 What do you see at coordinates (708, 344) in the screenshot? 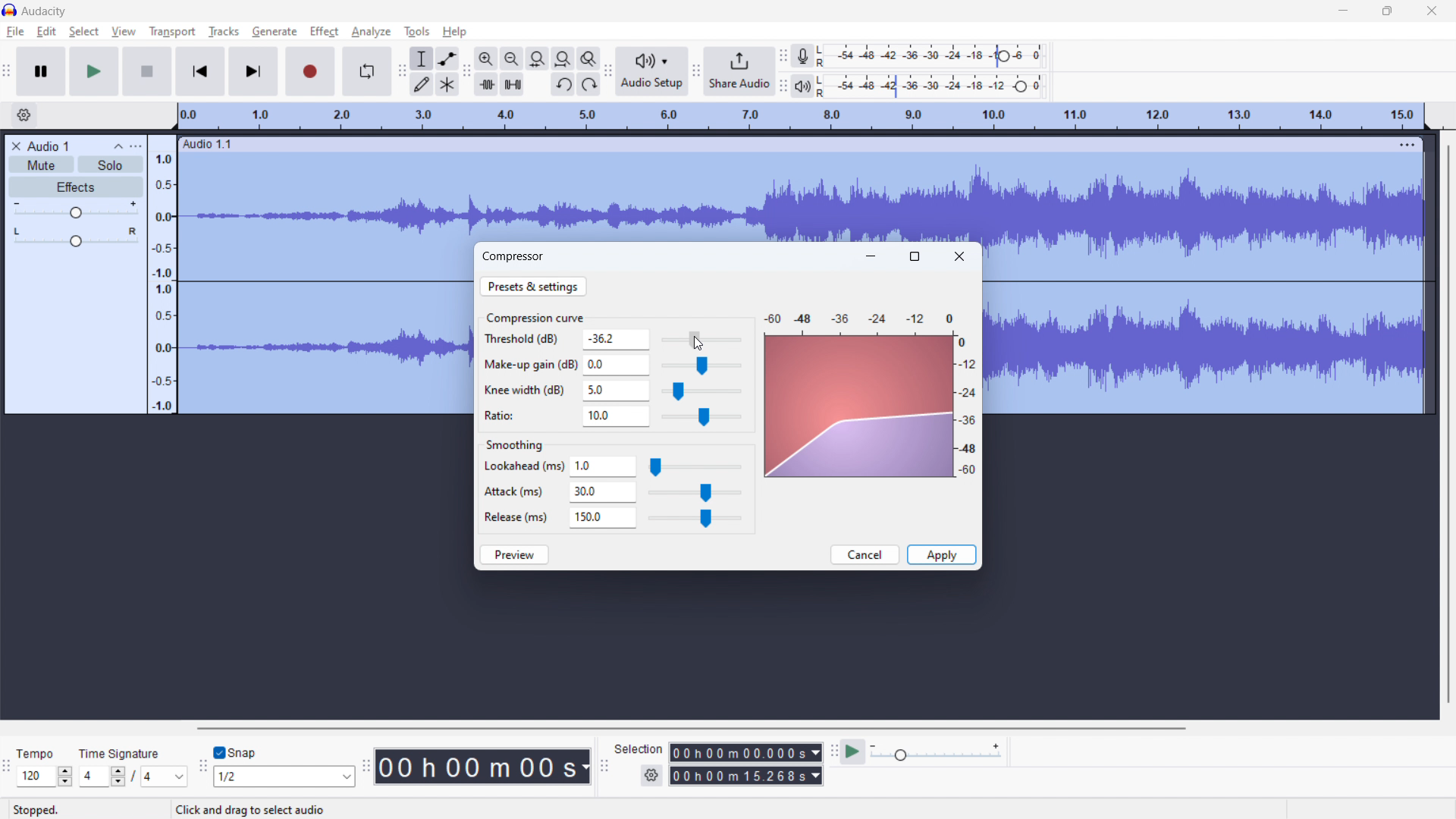
I see `cursor` at bounding box center [708, 344].